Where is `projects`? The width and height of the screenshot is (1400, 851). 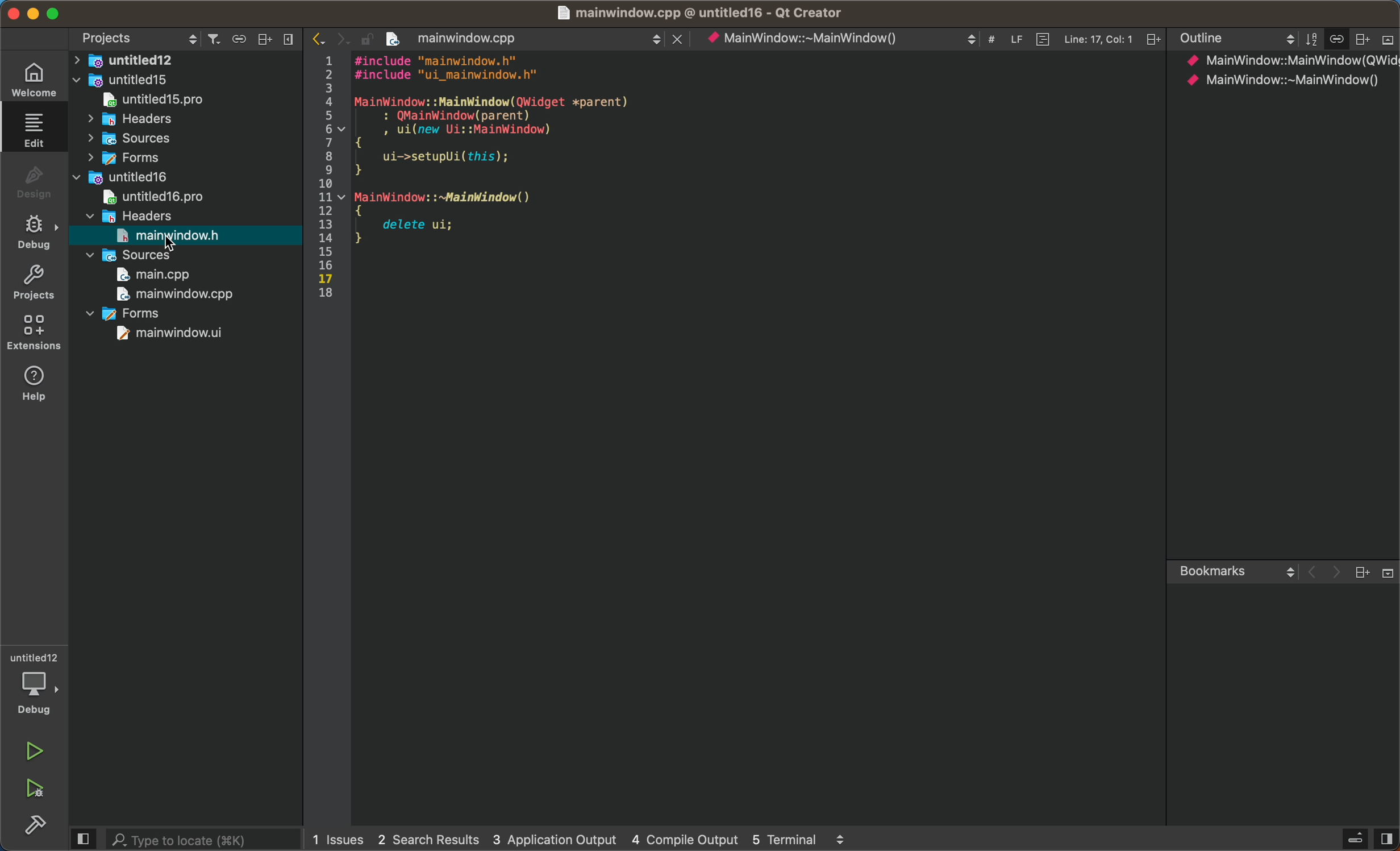 projects is located at coordinates (32, 283).